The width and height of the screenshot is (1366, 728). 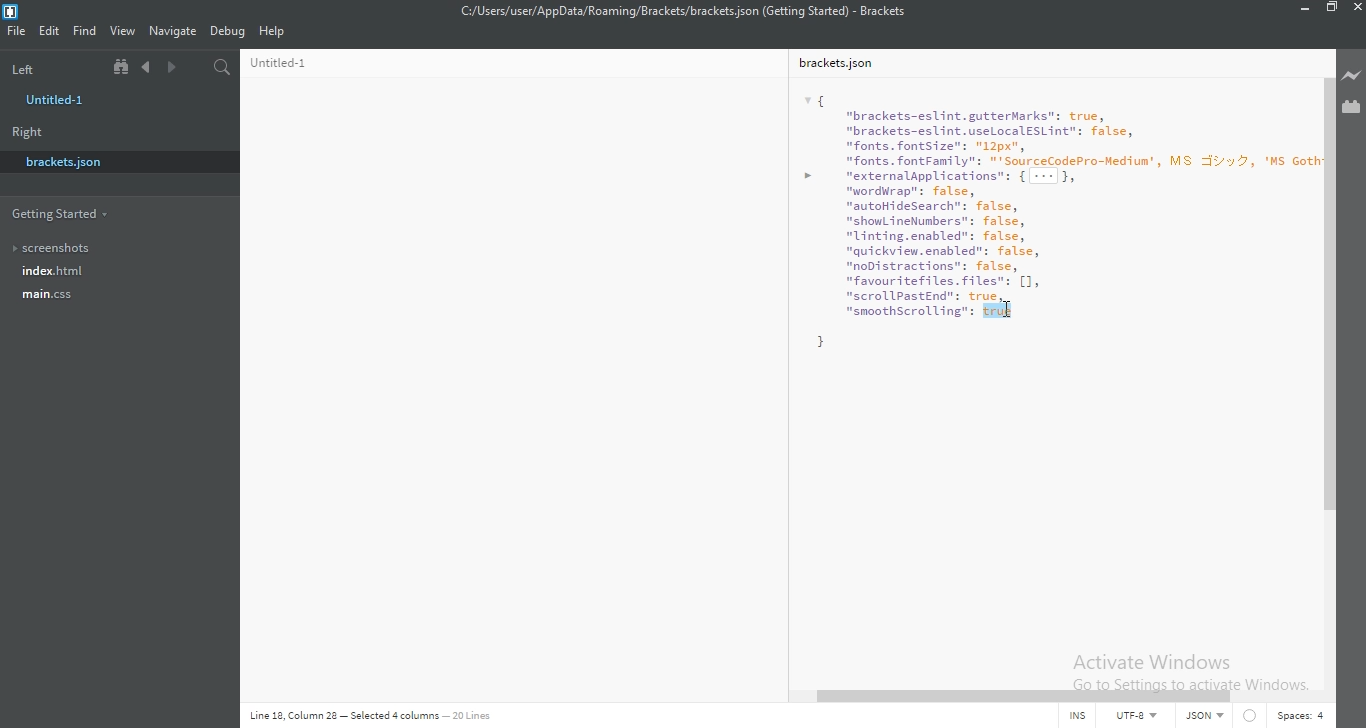 I want to click on bracket.json, so click(x=1050, y=360).